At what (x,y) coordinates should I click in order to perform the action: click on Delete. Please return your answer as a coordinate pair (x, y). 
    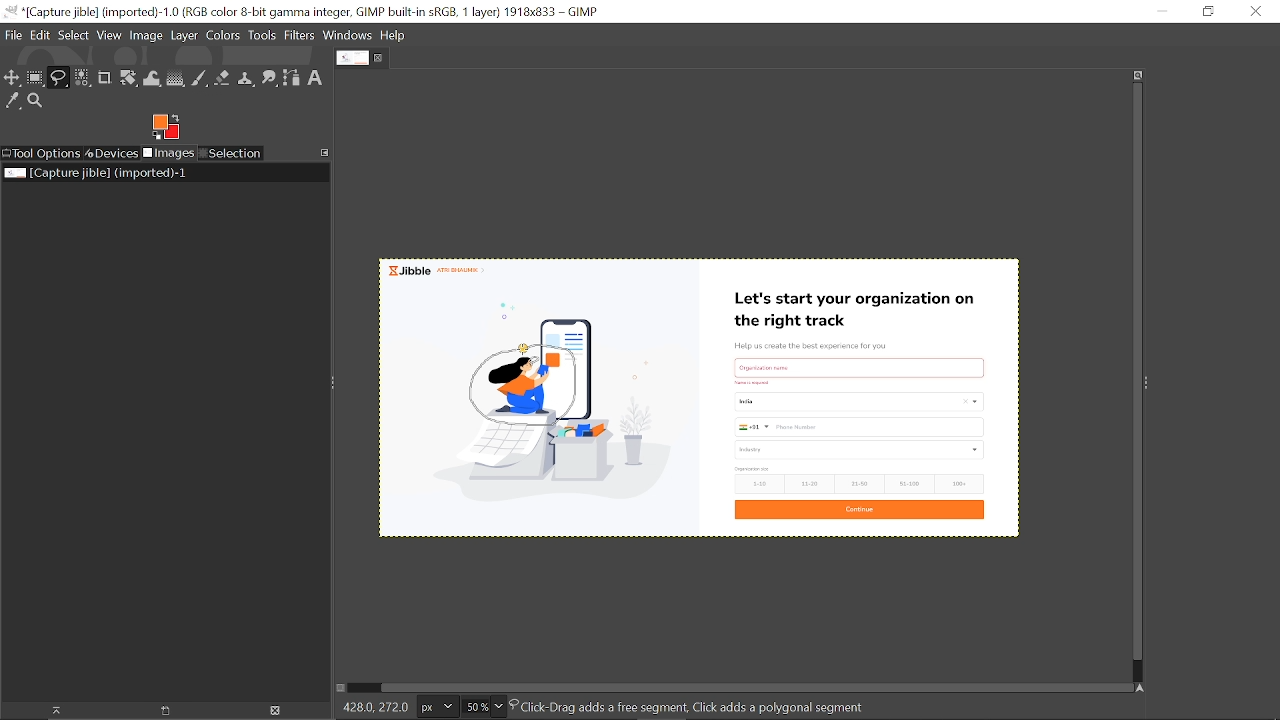
    Looking at the image, I should click on (274, 711).